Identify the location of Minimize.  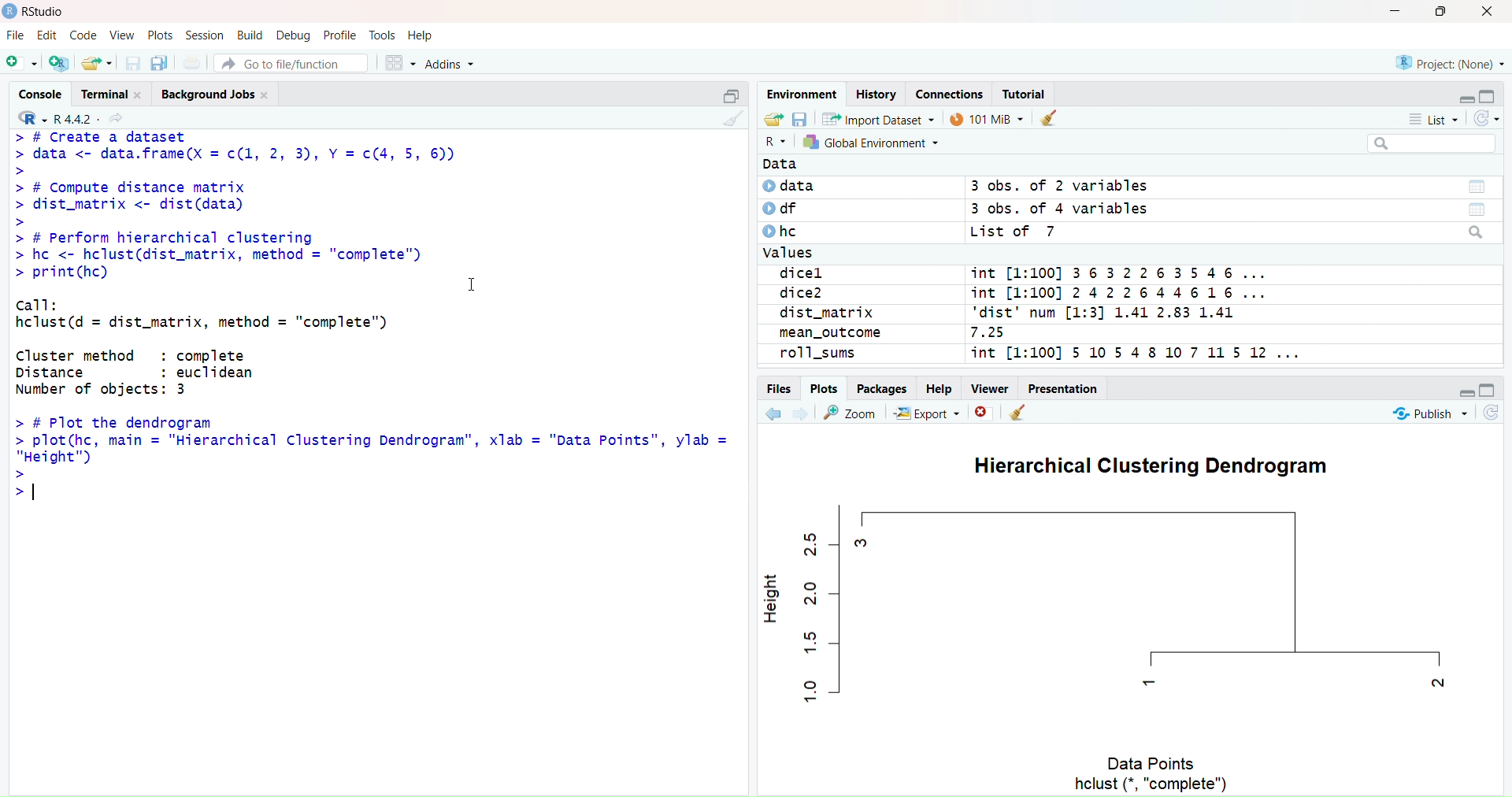
(1467, 393).